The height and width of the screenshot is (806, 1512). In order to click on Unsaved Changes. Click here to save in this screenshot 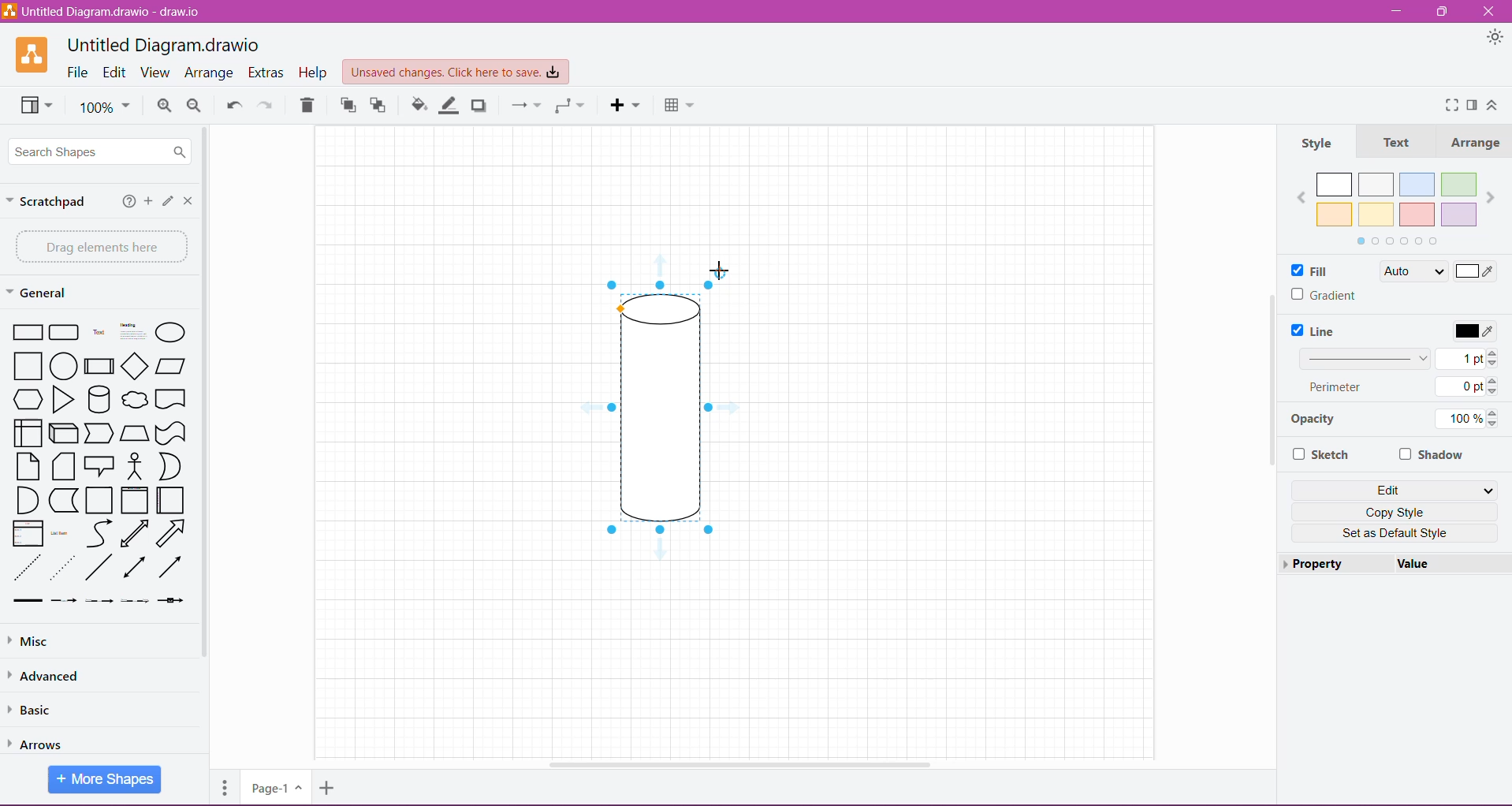, I will do `click(453, 70)`.